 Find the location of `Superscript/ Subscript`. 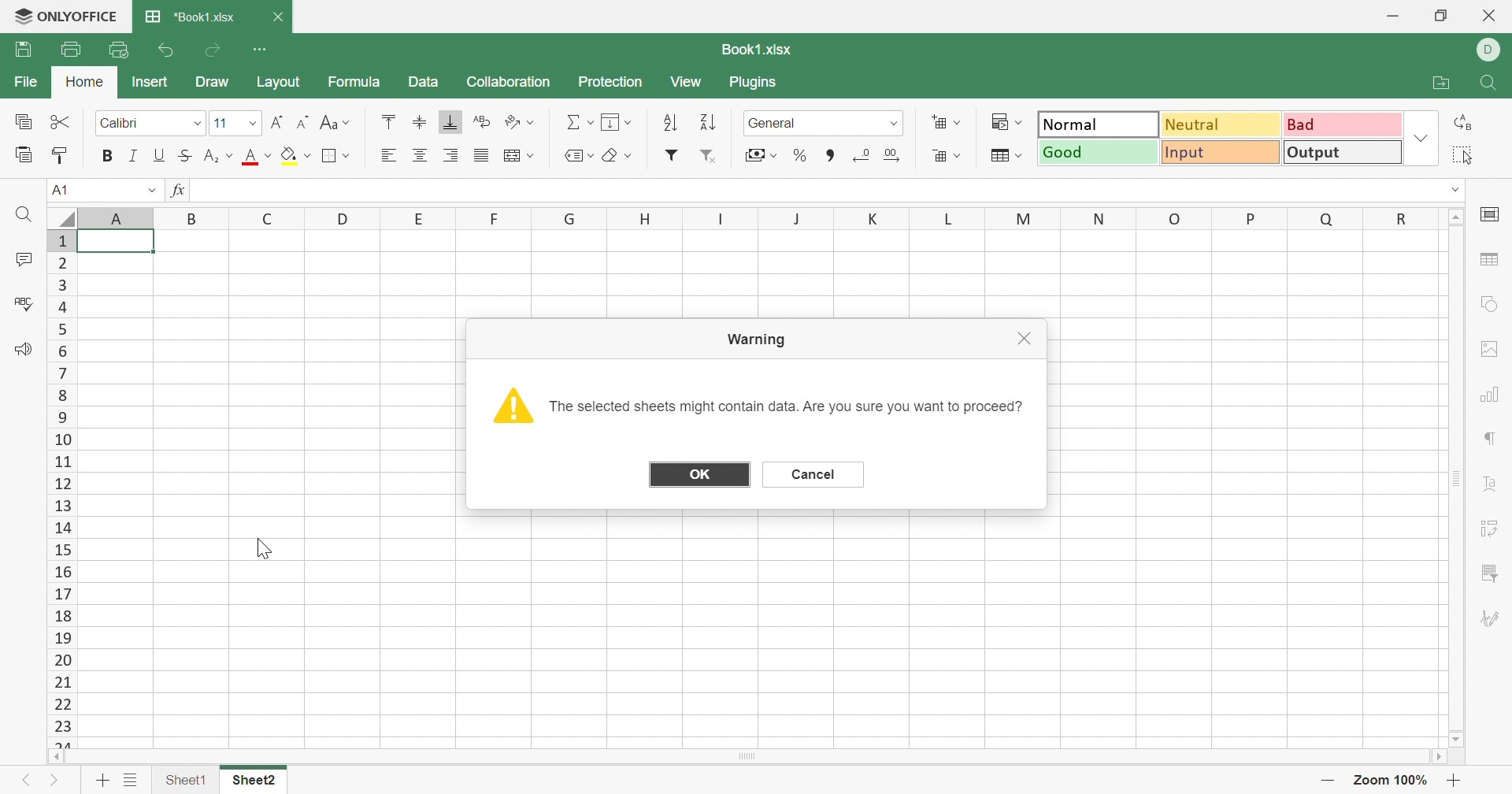

Superscript/ Subscript is located at coordinates (211, 156).